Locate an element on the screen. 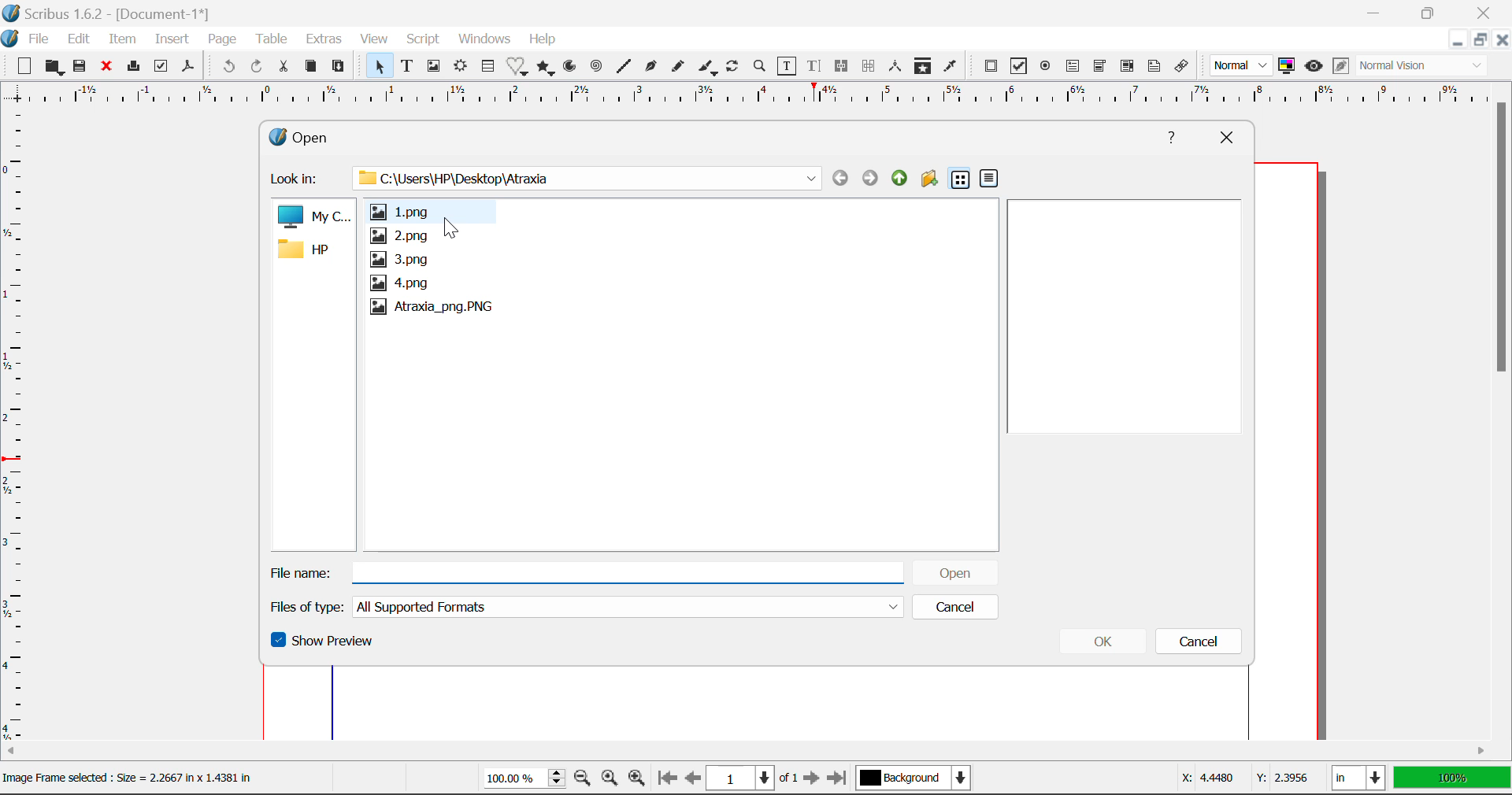 This screenshot has height=795, width=1512. Last Page is located at coordinates (839, 778).